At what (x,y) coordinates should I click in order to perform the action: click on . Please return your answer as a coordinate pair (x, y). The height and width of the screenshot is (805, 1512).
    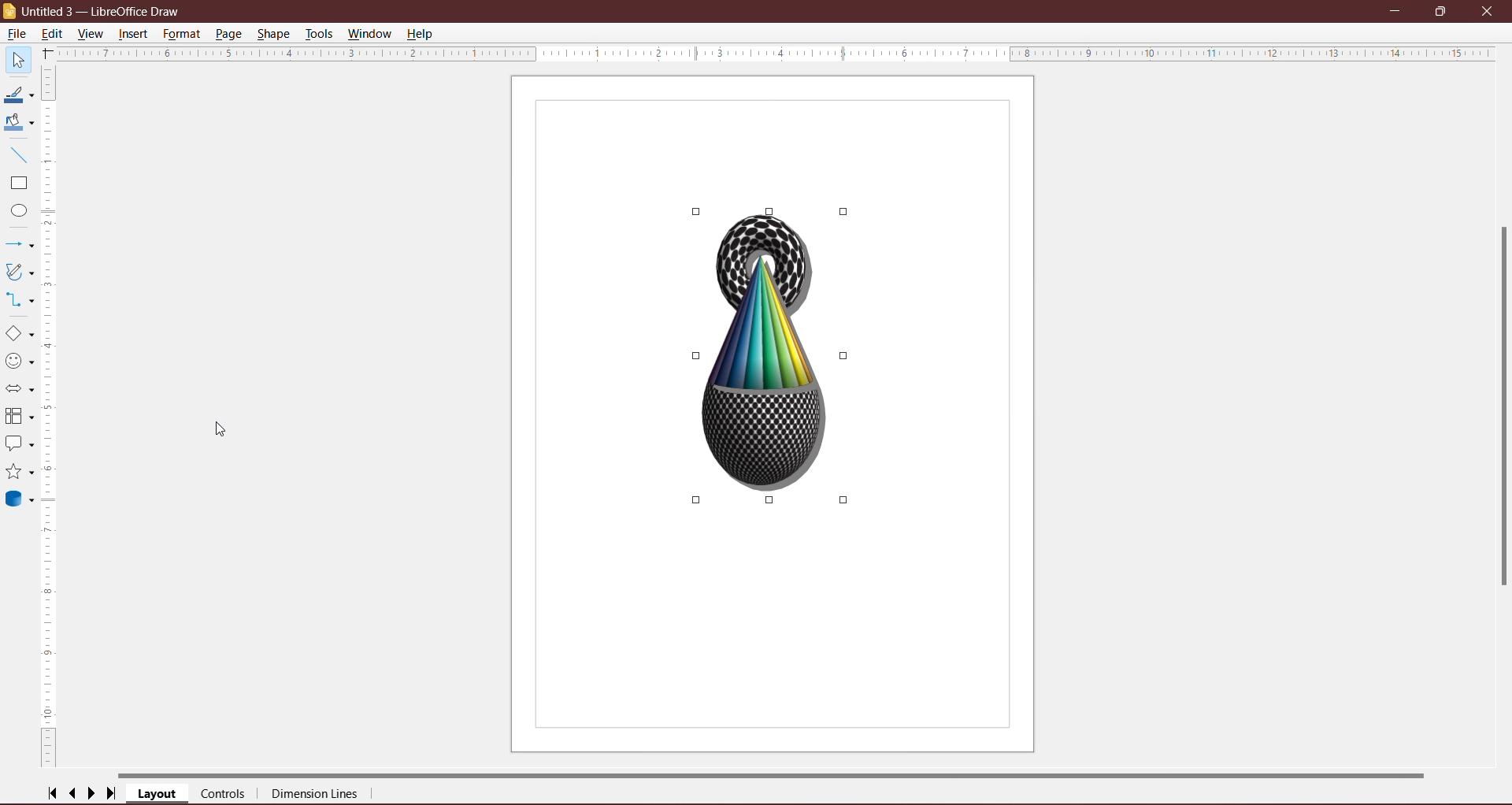
    Looking at the image, I should click on (51, 793).